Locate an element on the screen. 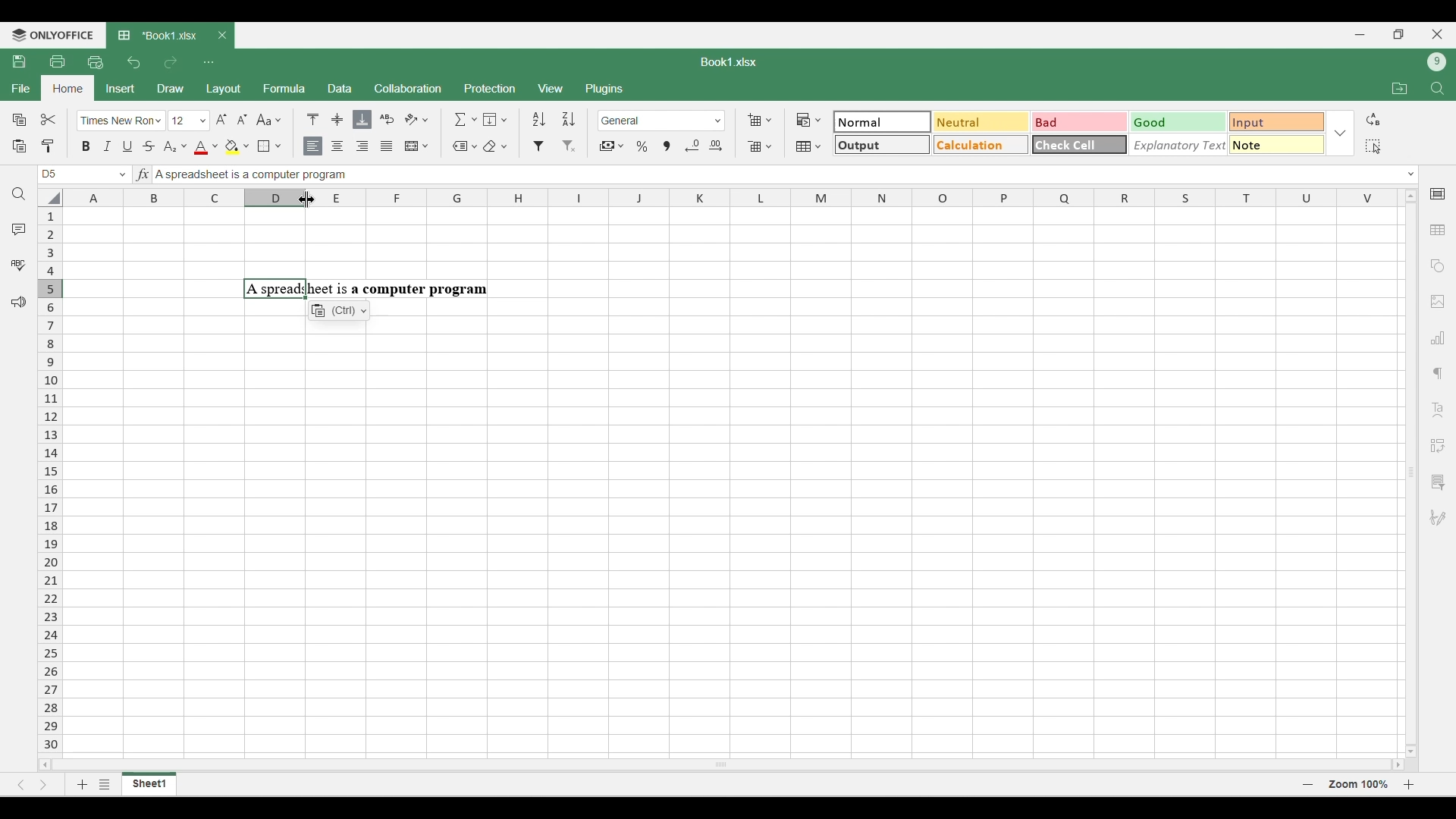 This screenshot has height=819, width=1456. Current account is located at coordinates (1437, 62).